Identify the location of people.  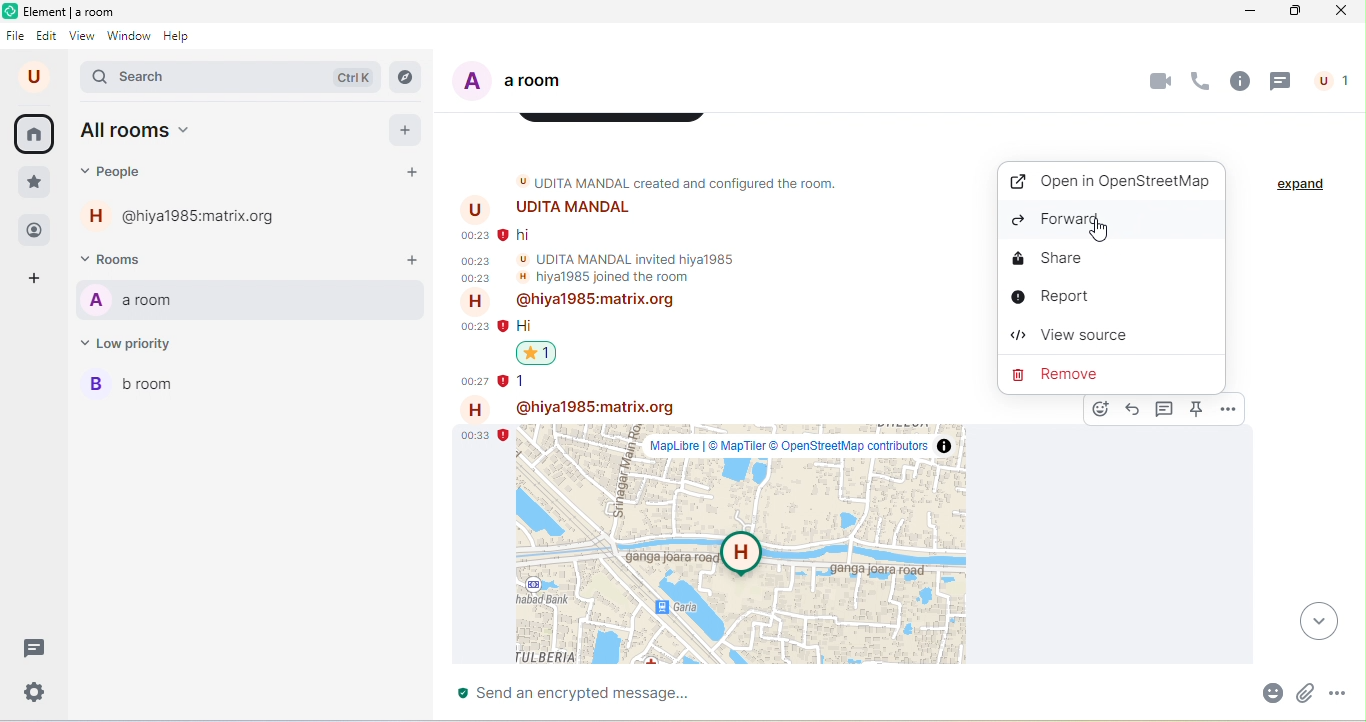
(35, 231).